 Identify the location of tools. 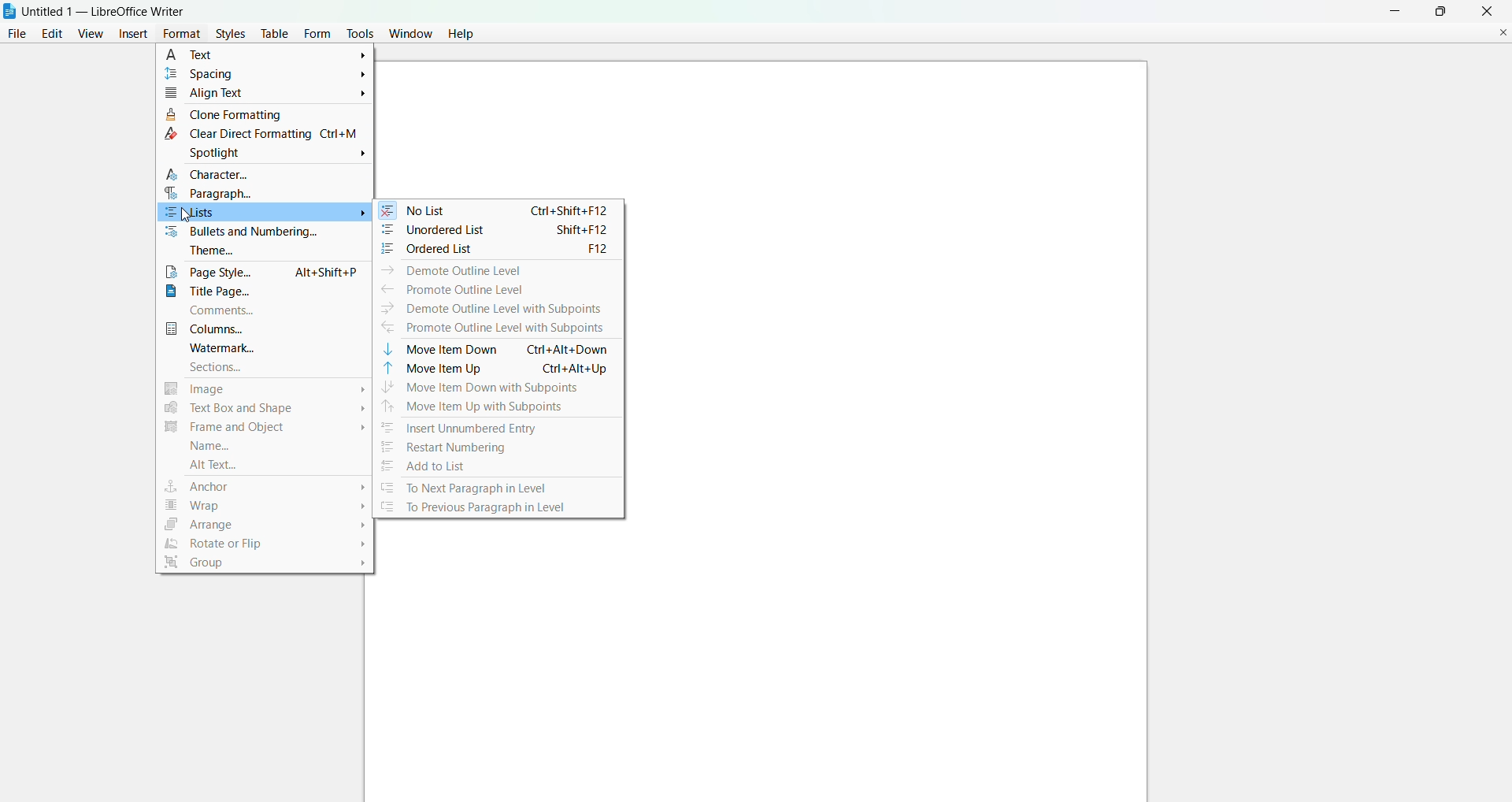
(360, 32).